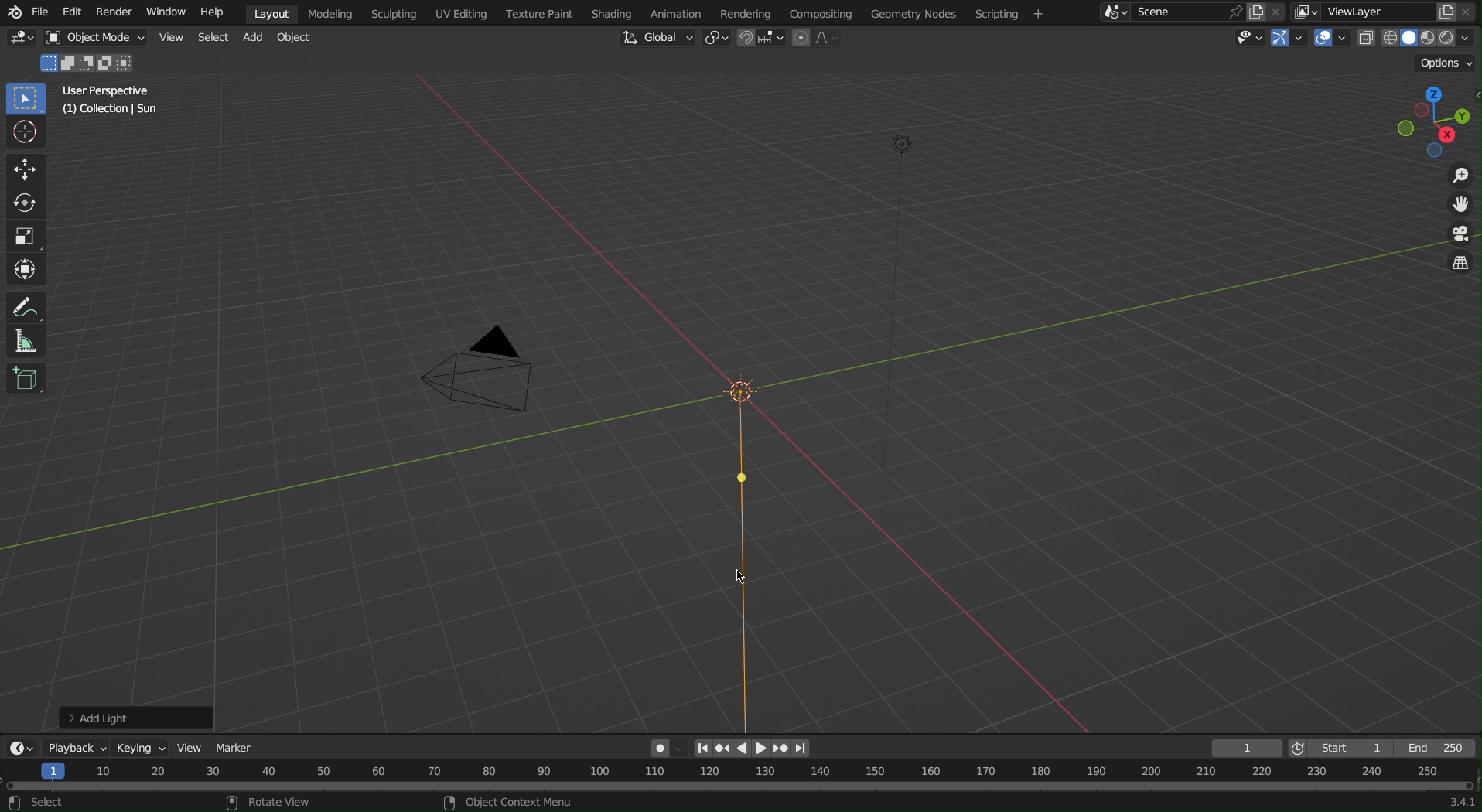 The width and height of the screenshot is (1482, 812). Describe the element at coordinates (26, 169) in the screenshot. I see `Move` at that location.